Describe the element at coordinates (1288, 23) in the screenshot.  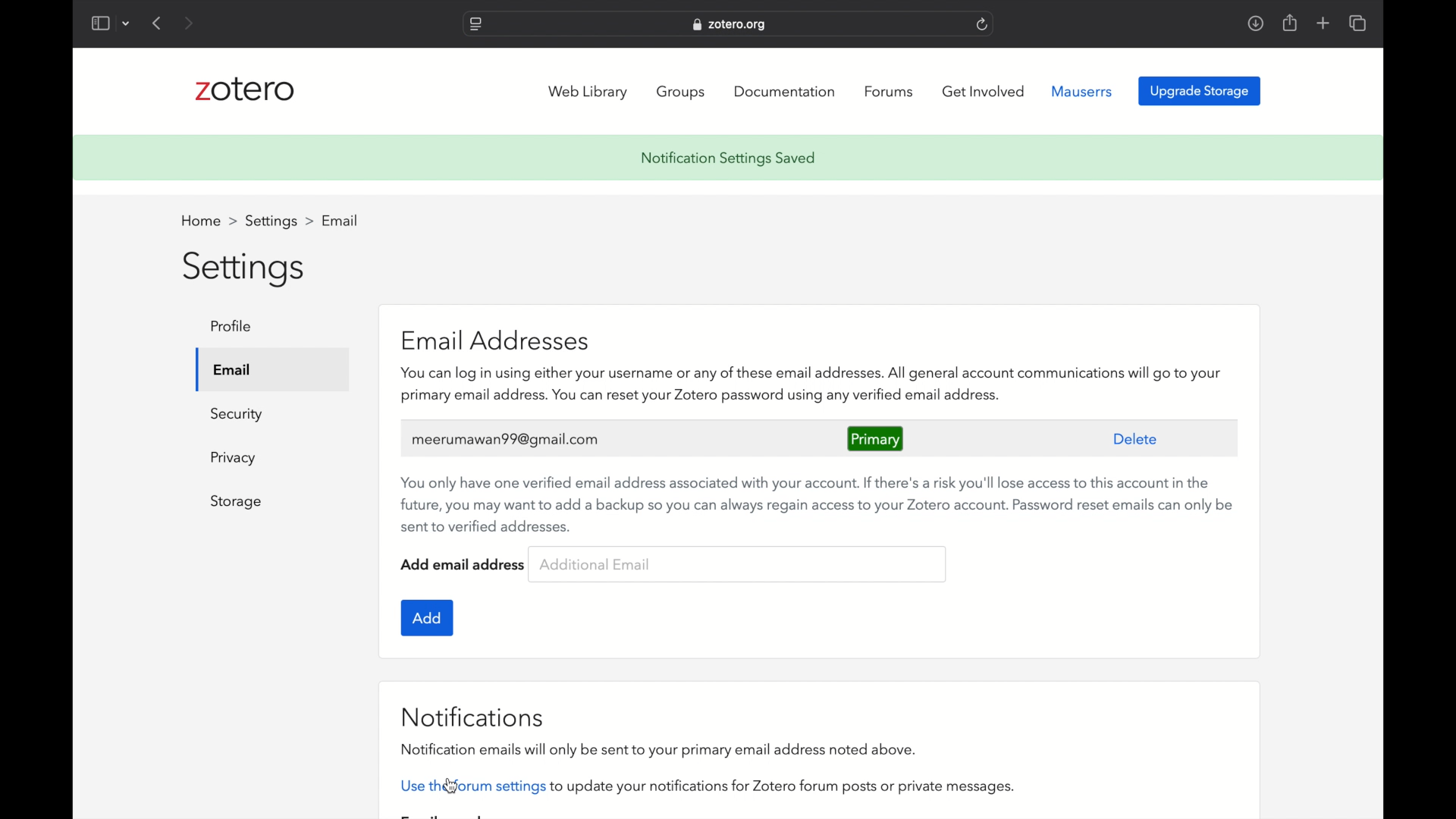
I see `share` at that location.